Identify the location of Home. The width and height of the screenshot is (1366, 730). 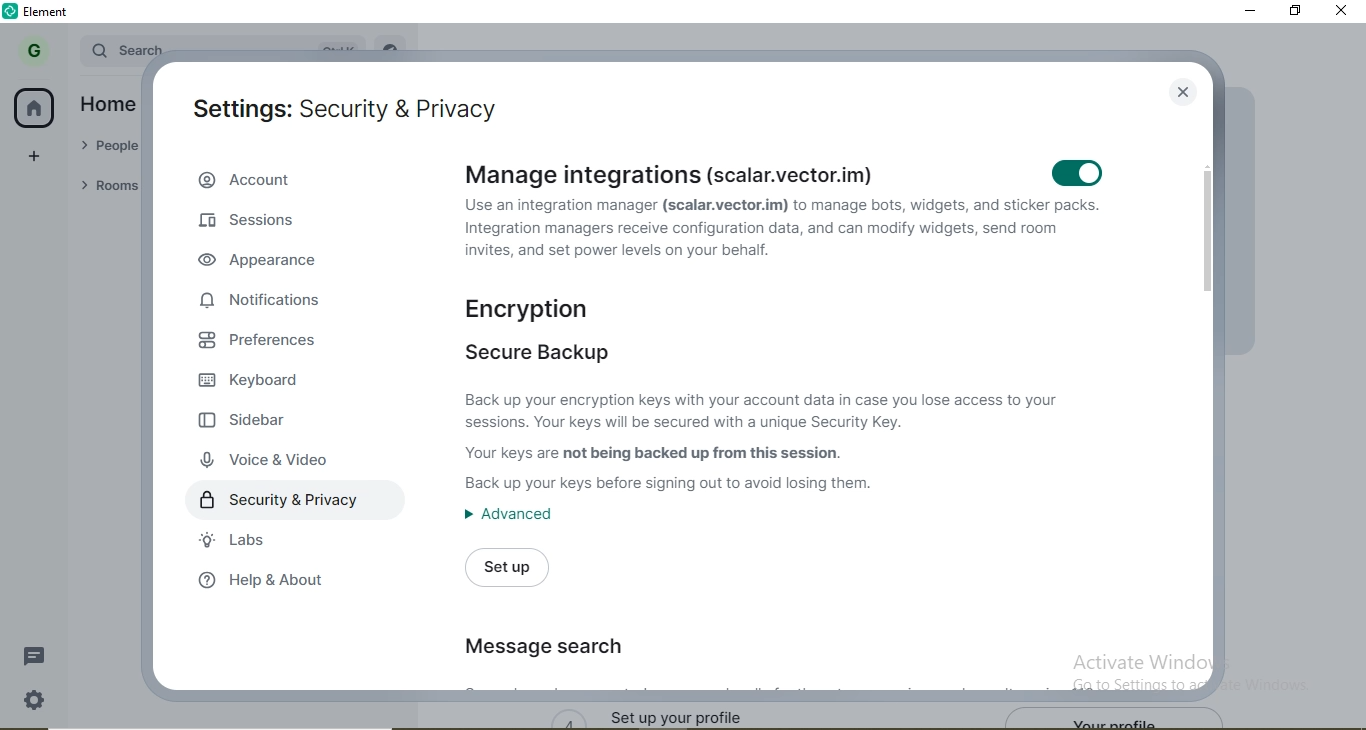
(105, 101).